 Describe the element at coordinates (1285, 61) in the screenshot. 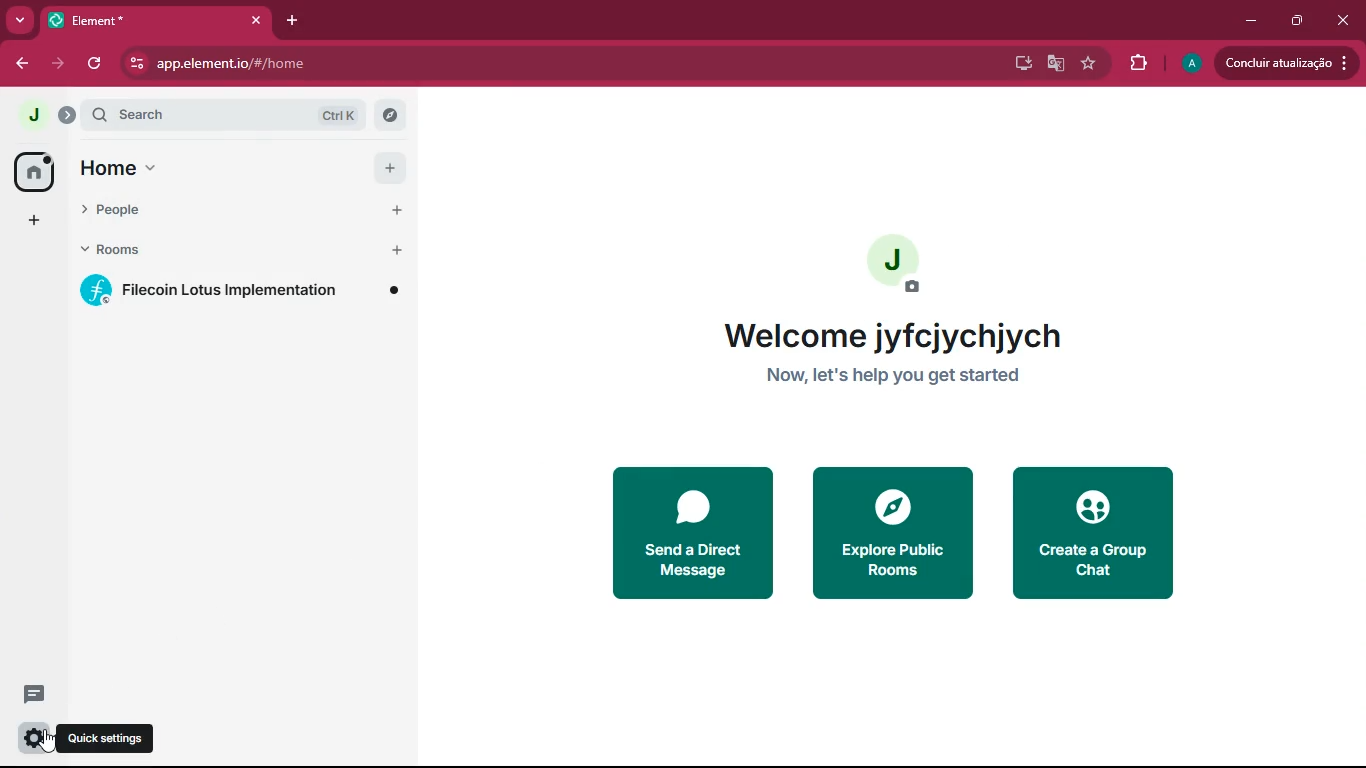

I see `conduir atualizacao` at that location.